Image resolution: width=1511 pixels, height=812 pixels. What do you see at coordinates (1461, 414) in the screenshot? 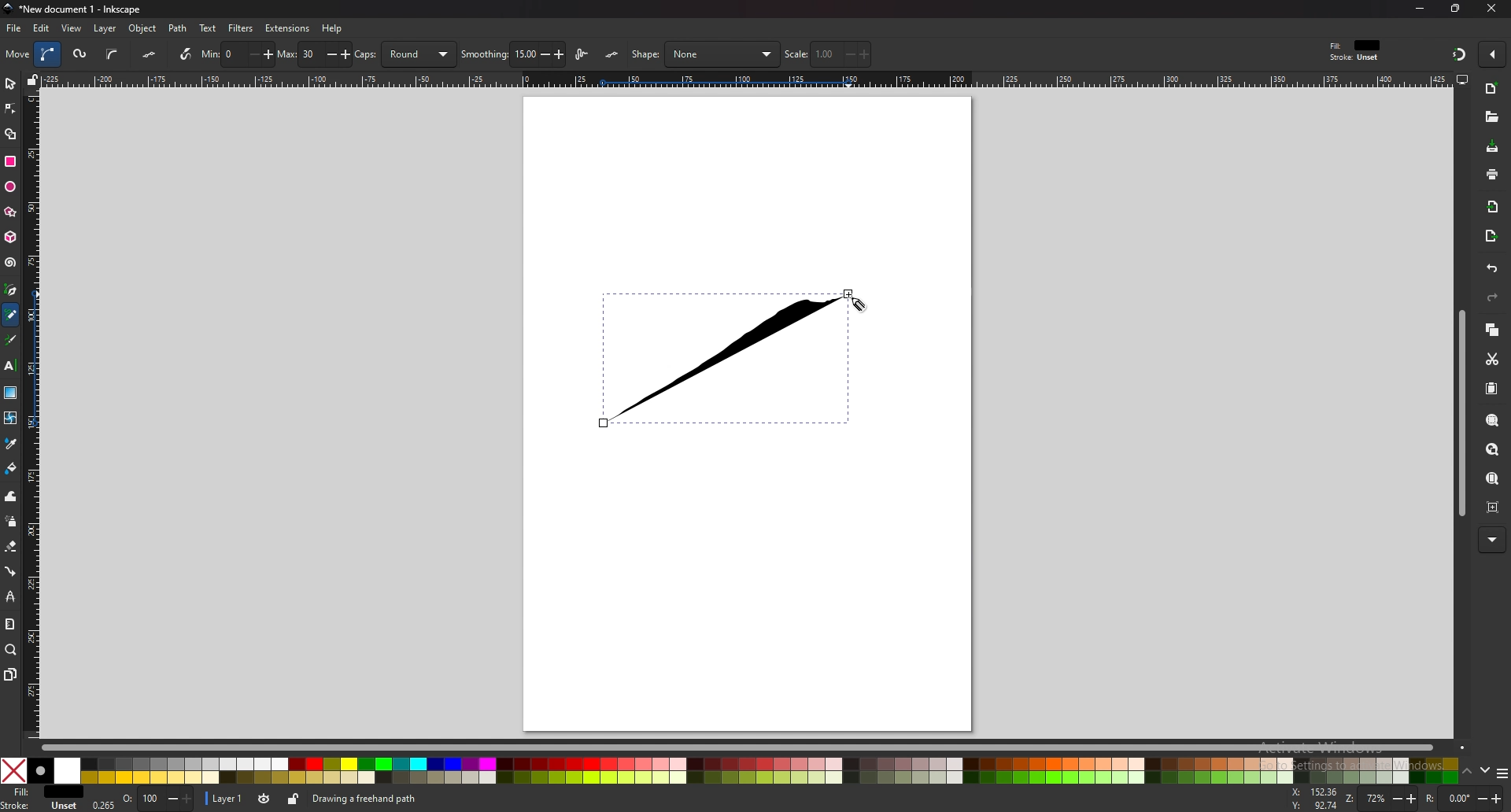
I see `scroll bar` at bounding box center [1461, 414].